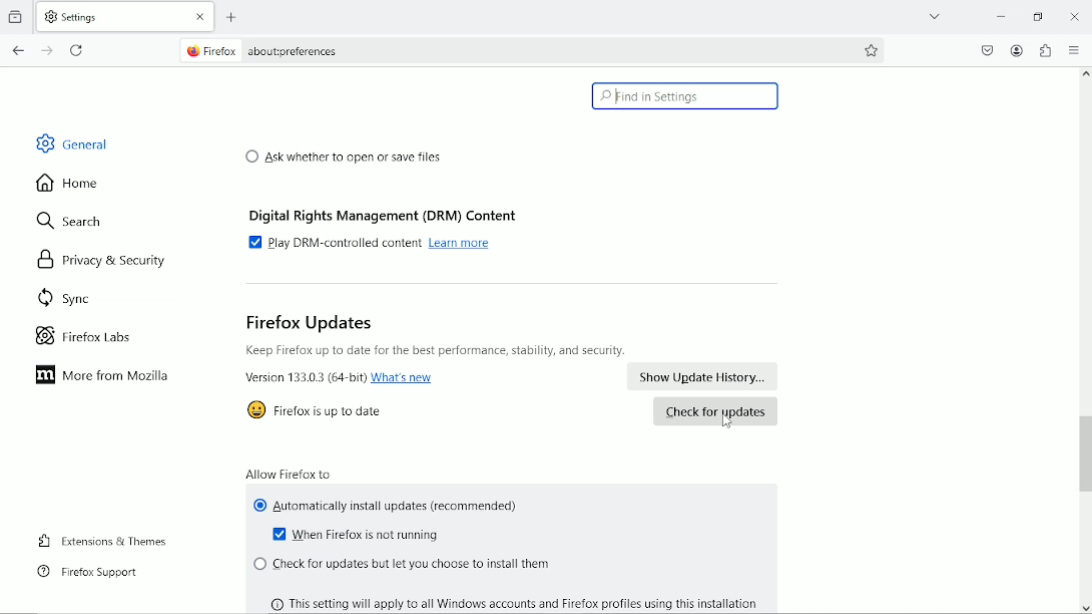 The height and width of the screenshot is (614, 1092). Describe the element at coordinates (522, 601) in the screenshot. I see `This setting will apply to all windows, accounts and firefox profiles using this installation.` at that location.